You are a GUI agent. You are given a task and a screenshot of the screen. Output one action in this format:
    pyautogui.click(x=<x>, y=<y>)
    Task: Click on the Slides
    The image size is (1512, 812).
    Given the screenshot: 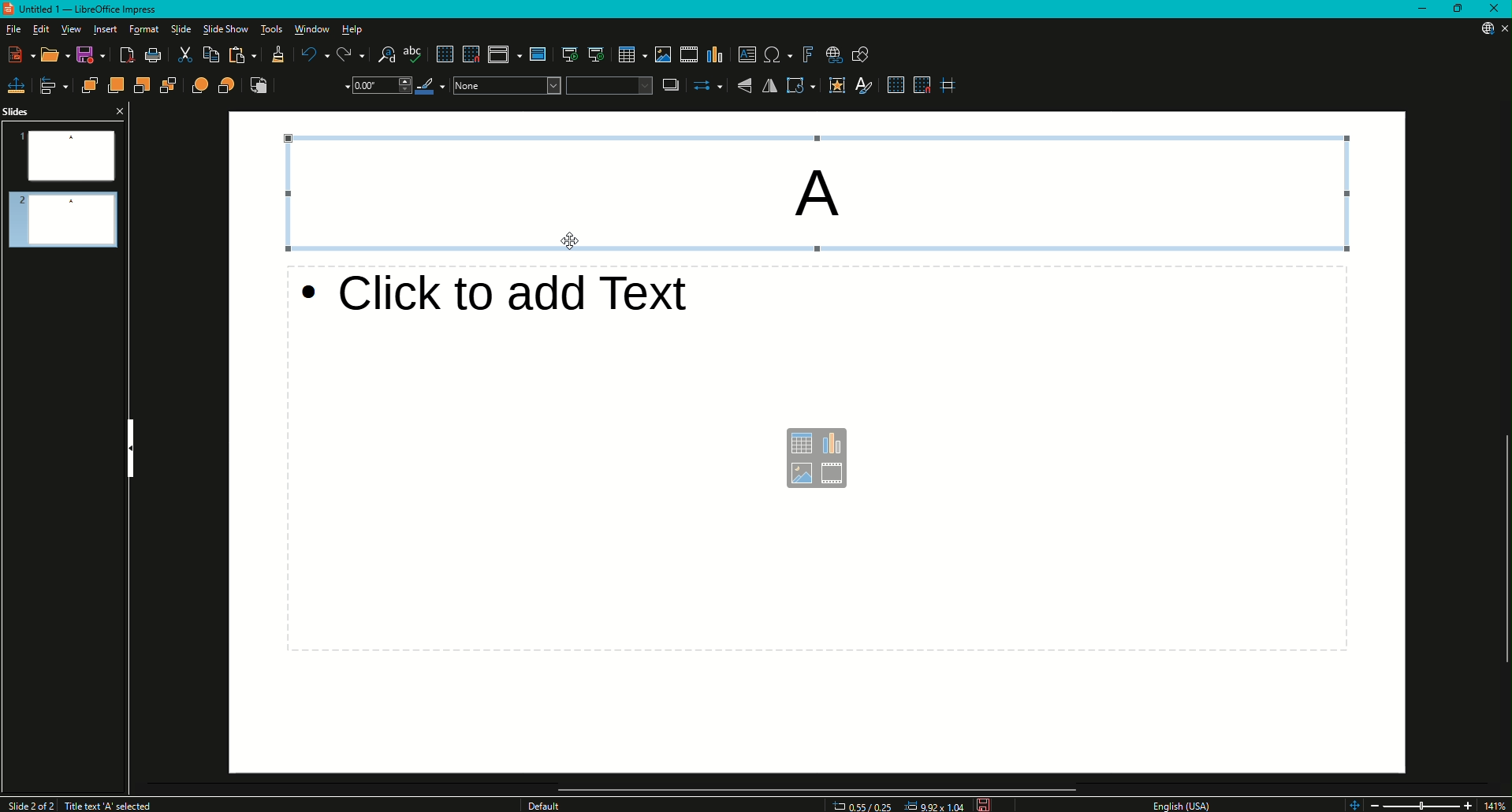 What is the action you would take?
    pyautogui.click(x=24, y=111)
    